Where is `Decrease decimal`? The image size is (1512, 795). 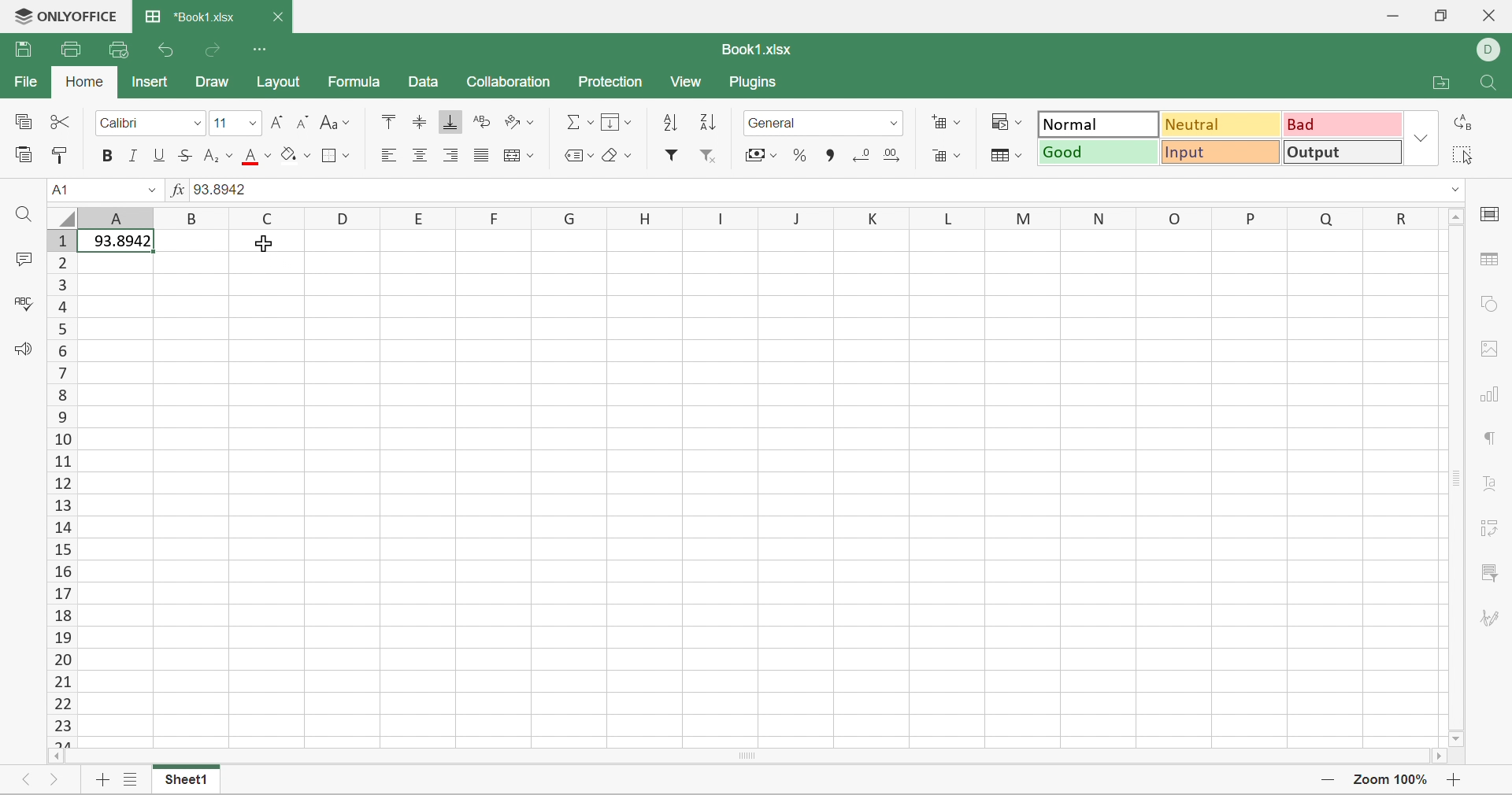 Decrease decimal is located at coordinates (859, 152).